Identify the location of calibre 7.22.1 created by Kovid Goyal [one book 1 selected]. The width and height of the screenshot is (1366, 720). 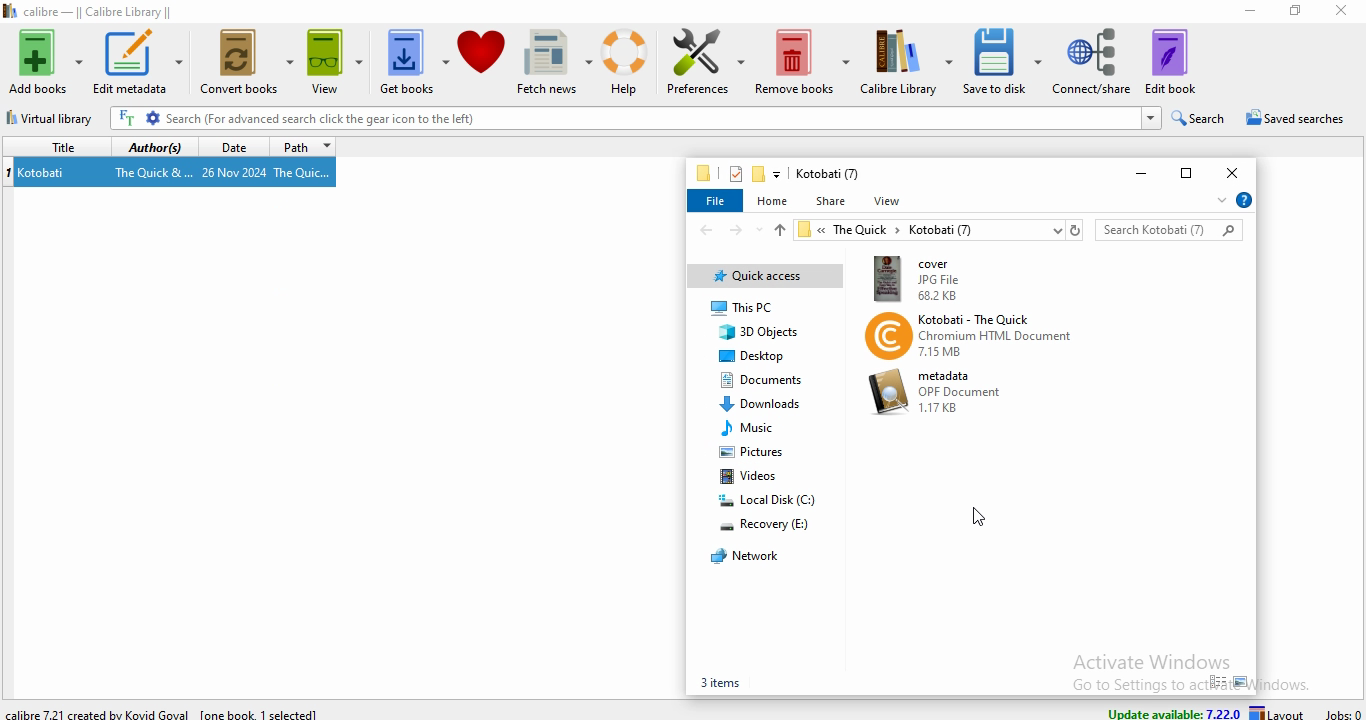
(167, 712).